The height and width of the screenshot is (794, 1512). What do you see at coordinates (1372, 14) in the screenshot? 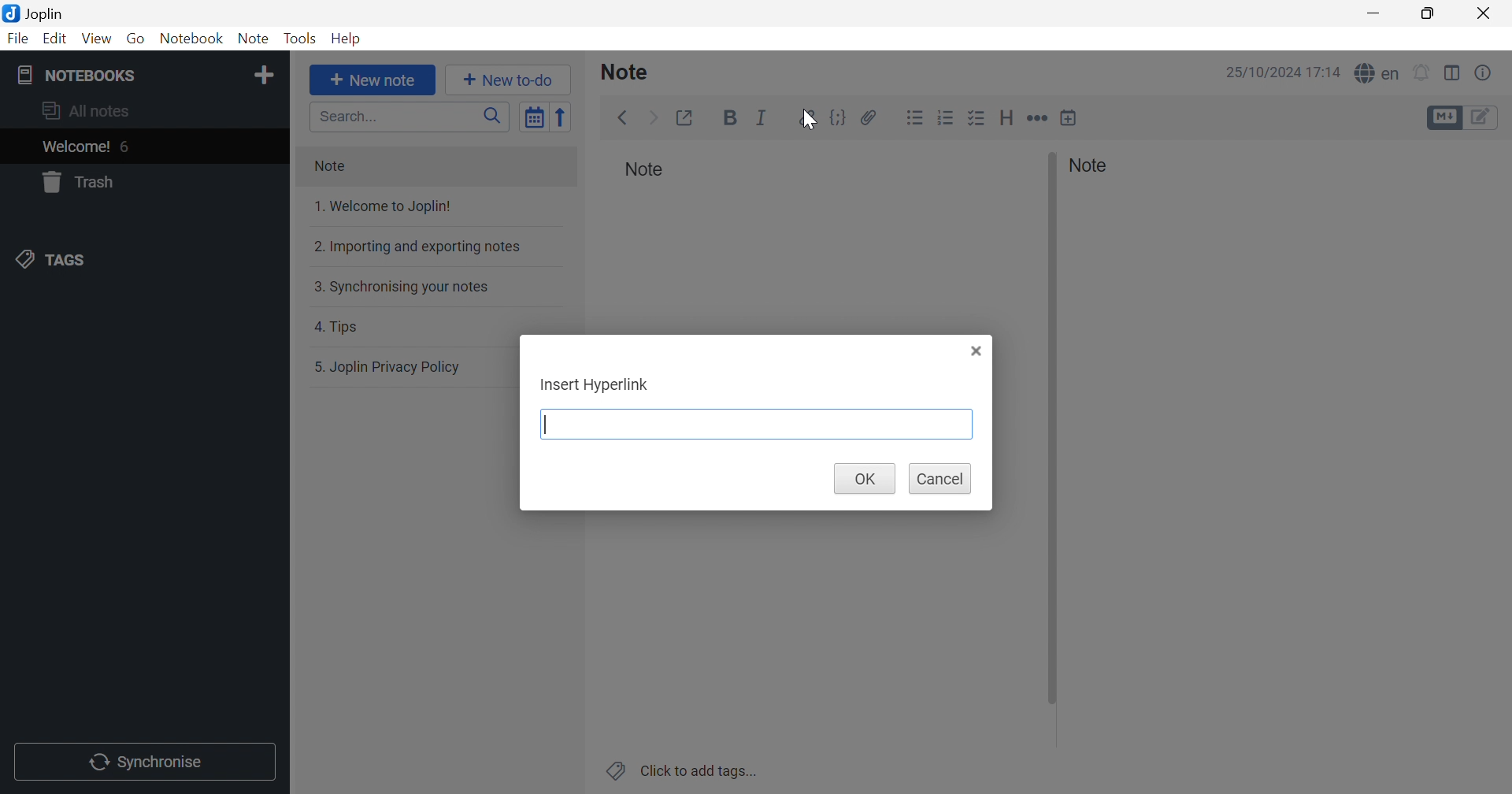
I see `Minimize` at bounding box center [1372, 14].